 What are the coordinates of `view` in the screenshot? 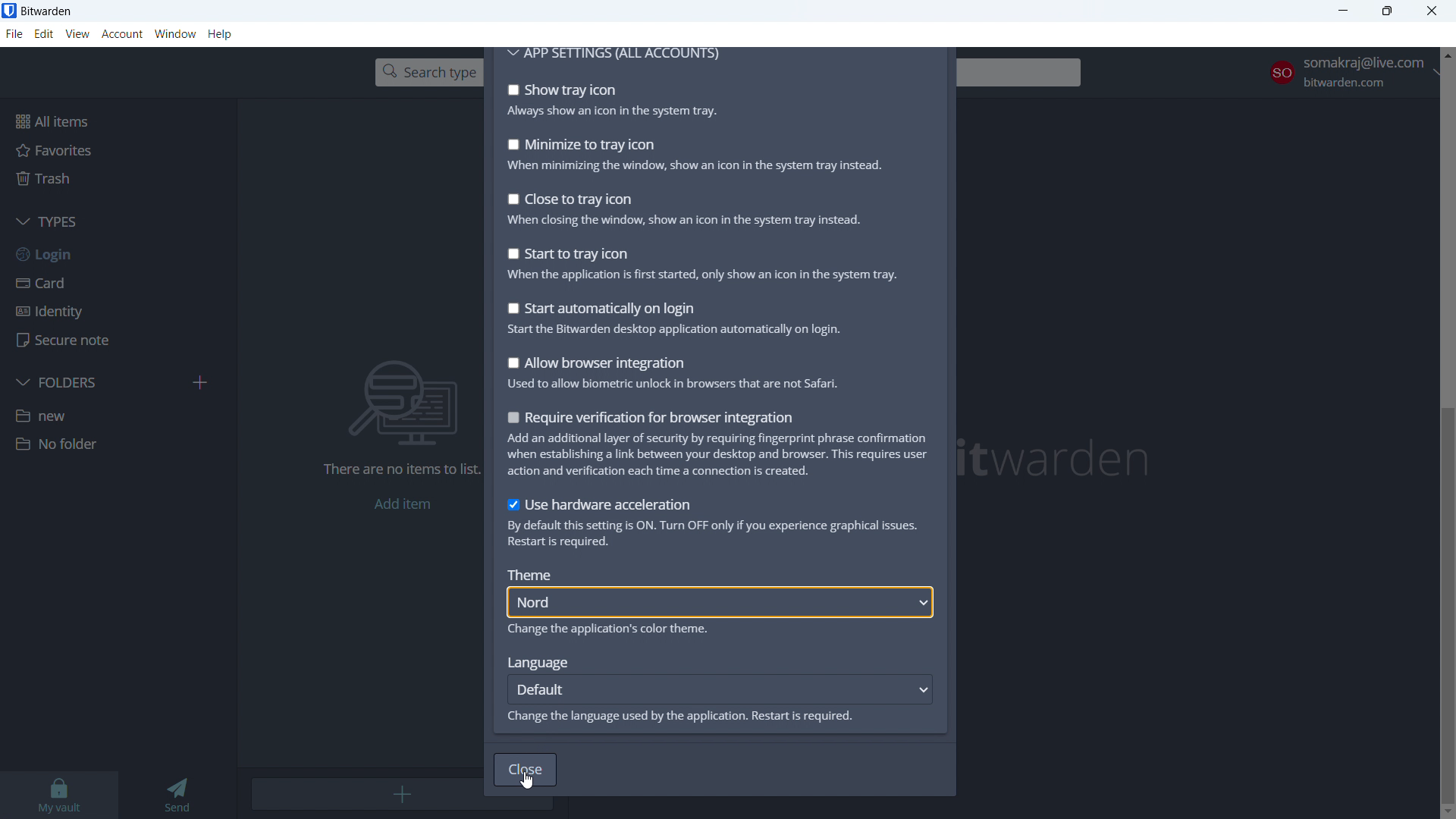 It's located at (77, 34).